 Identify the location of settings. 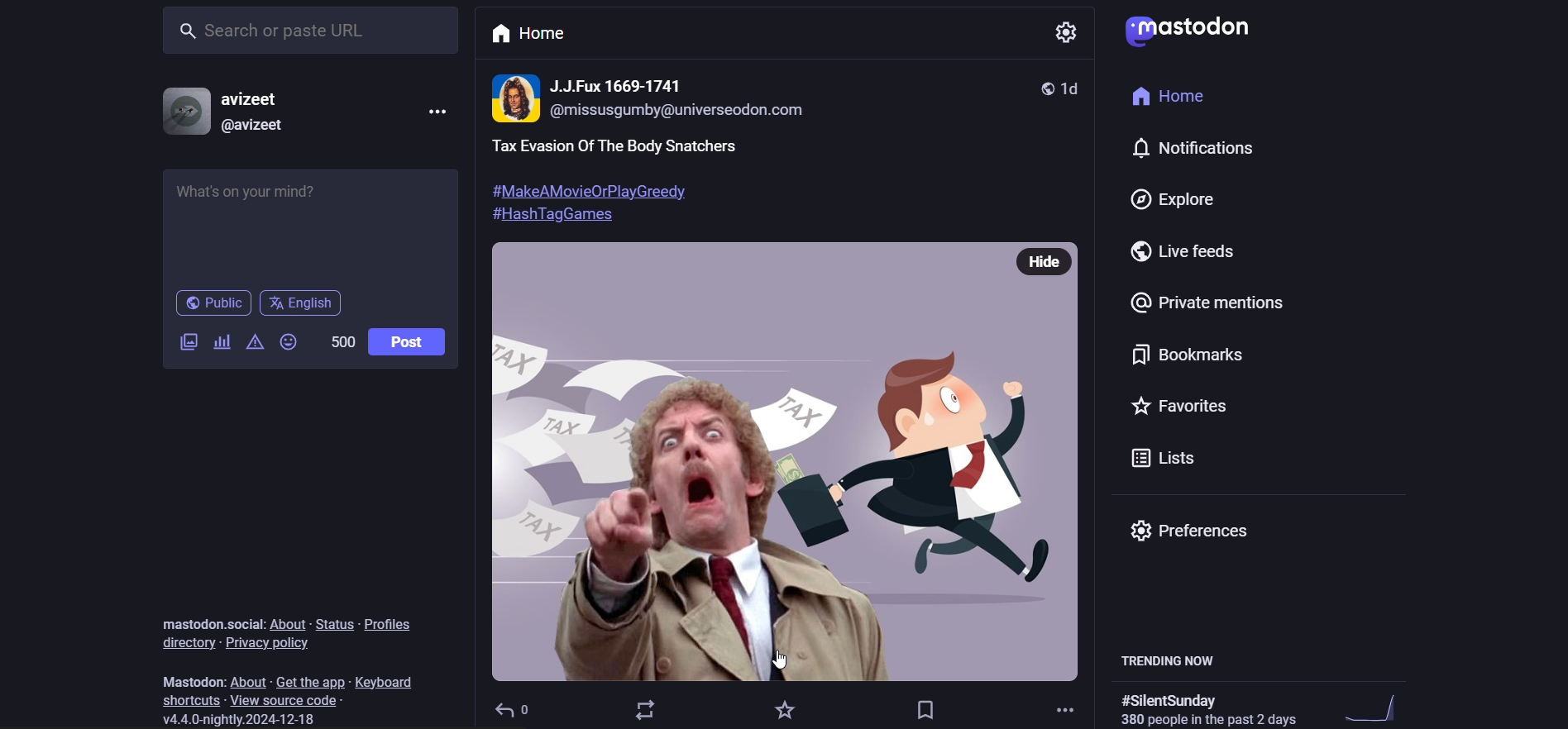
(1063, 35).